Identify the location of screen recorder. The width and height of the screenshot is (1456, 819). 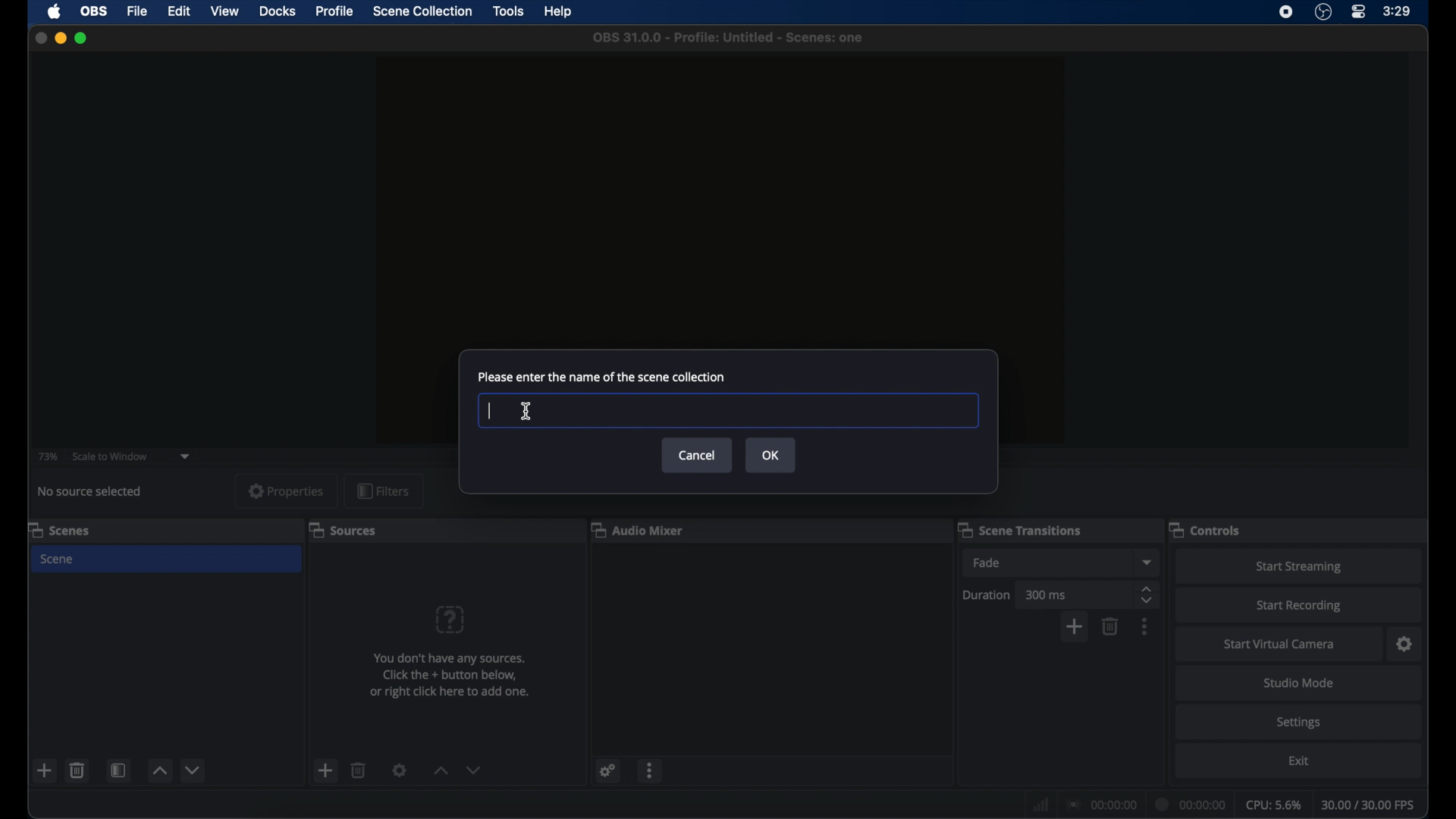
(1286, 12).